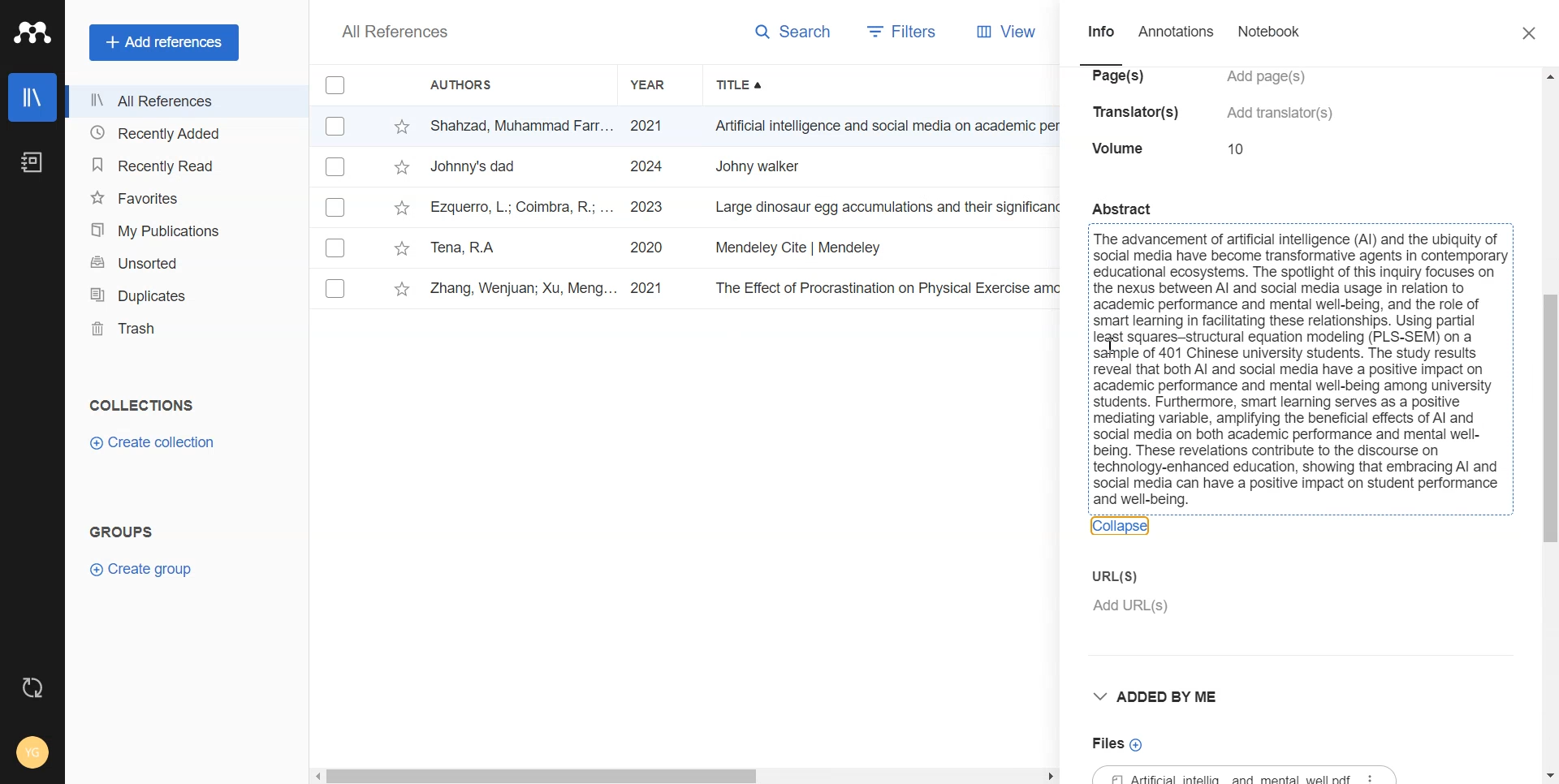 The height and width of the screenshot is (784, 1559). I want to click on All References, so click(409, 31).